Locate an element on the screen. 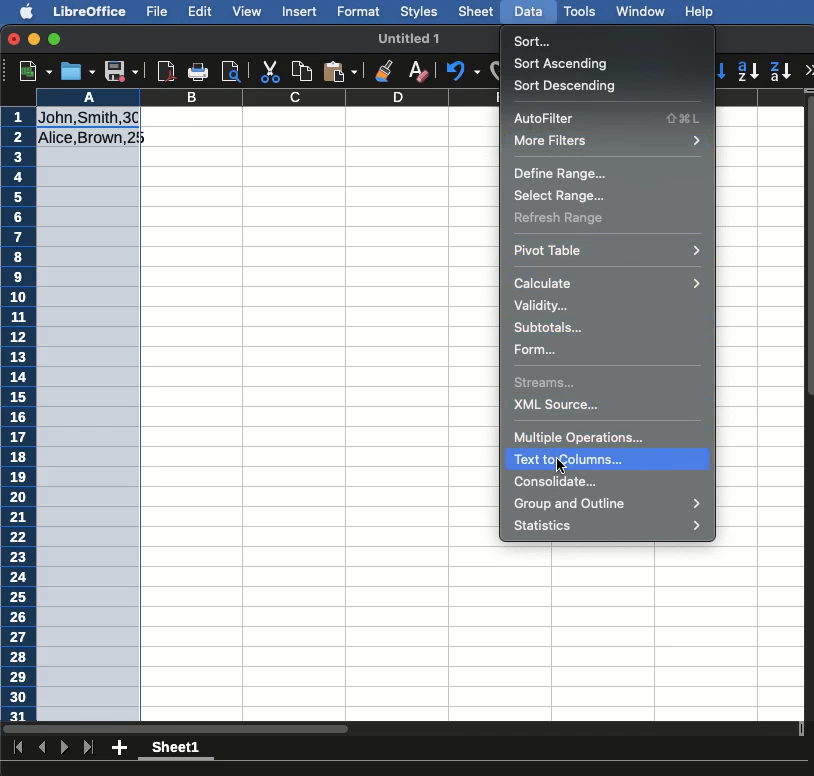 The image size is (814, 776). Sort is located at coordinates (534, 42).